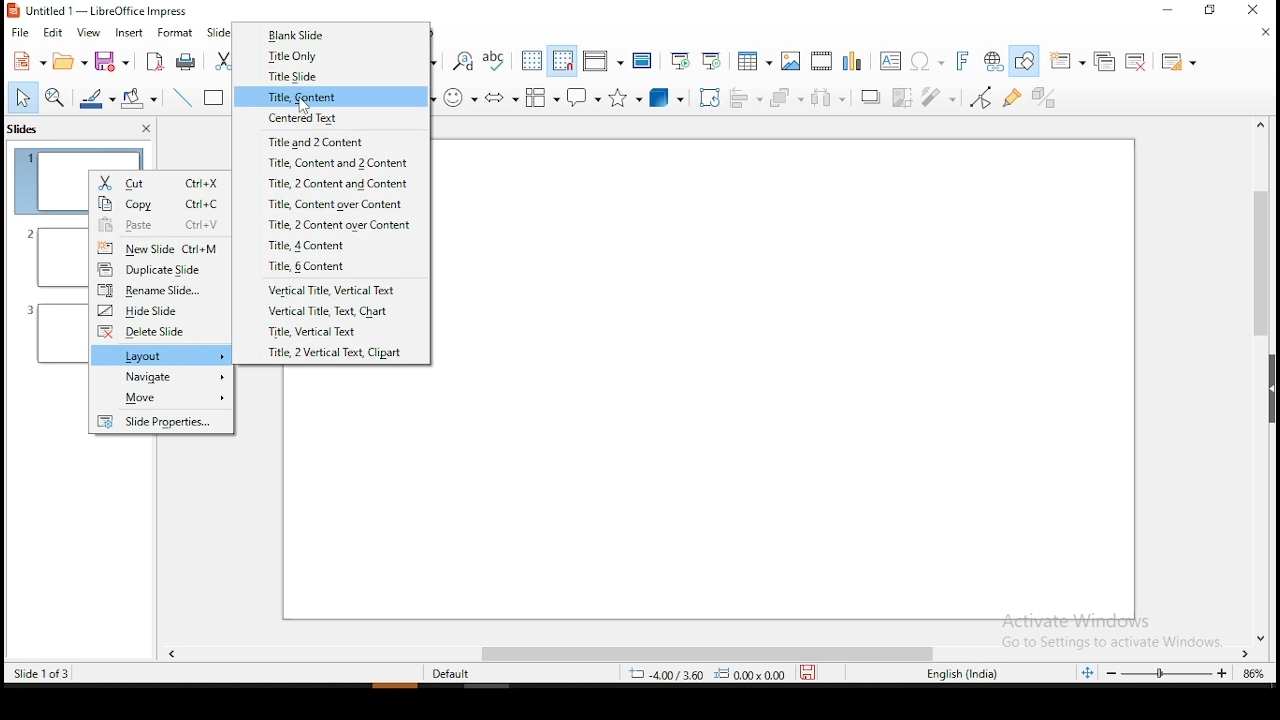  Describe the element at coordinates (22, 35) in the screenshot. I see `file` at that location.